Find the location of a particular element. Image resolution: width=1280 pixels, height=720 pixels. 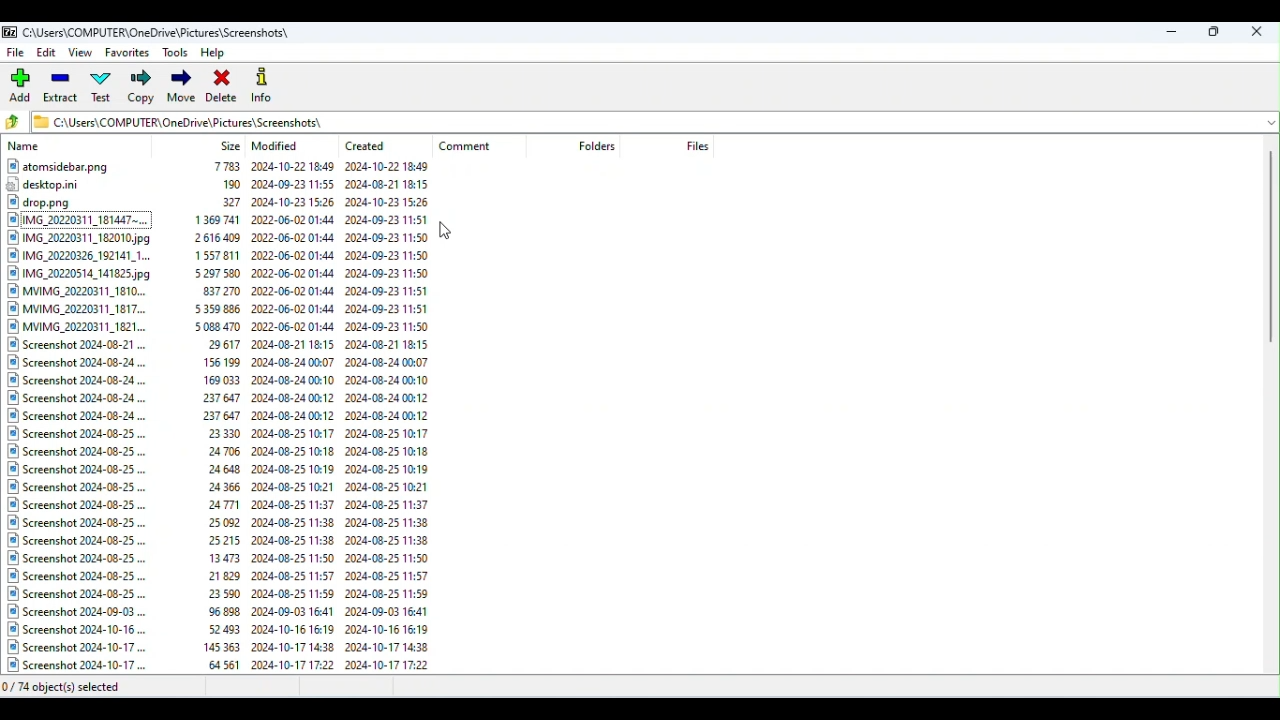

Files is located at coordinates (697, 145).